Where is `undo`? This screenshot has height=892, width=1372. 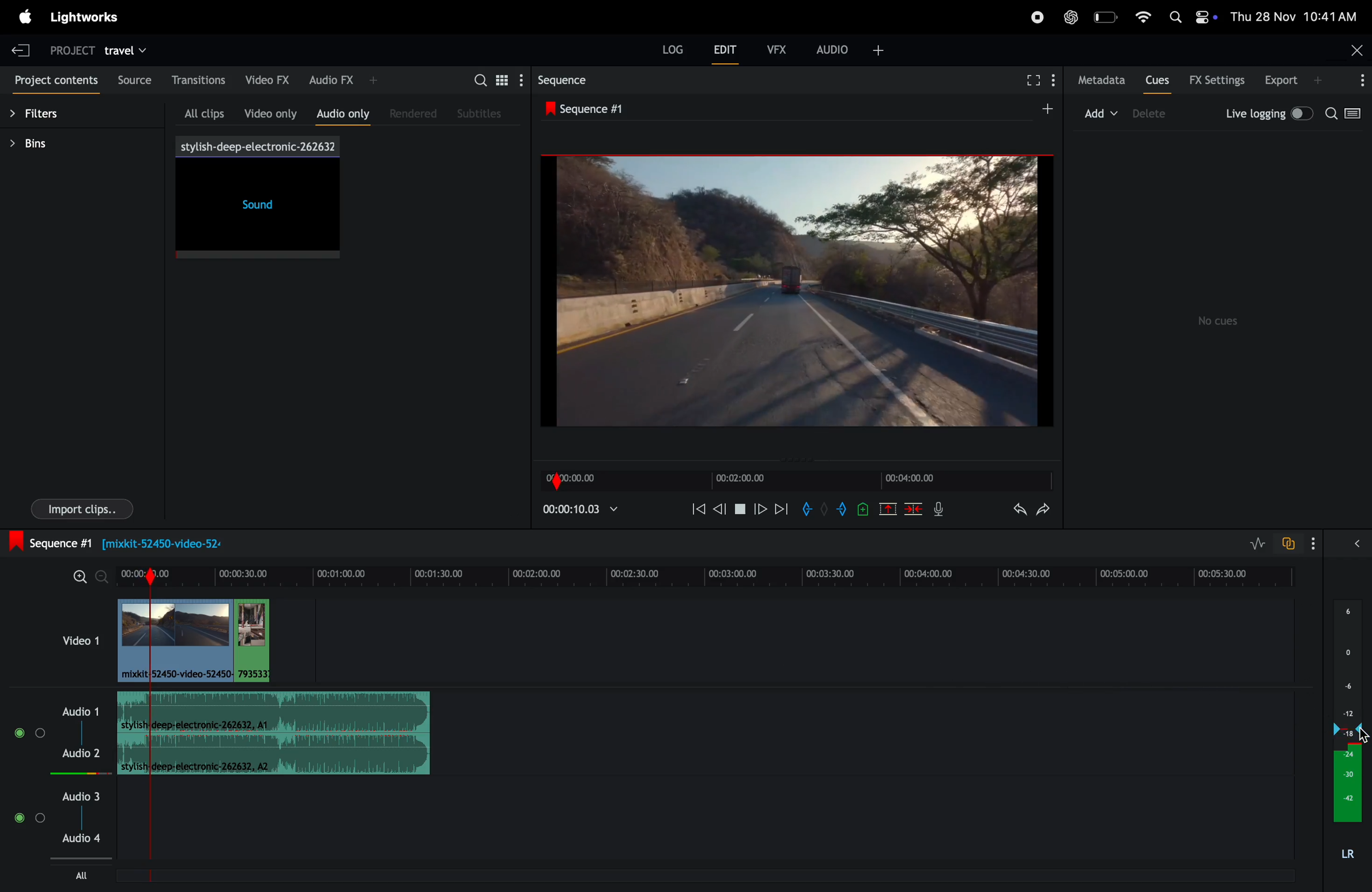 undo is located at coordinates (1011, 510).